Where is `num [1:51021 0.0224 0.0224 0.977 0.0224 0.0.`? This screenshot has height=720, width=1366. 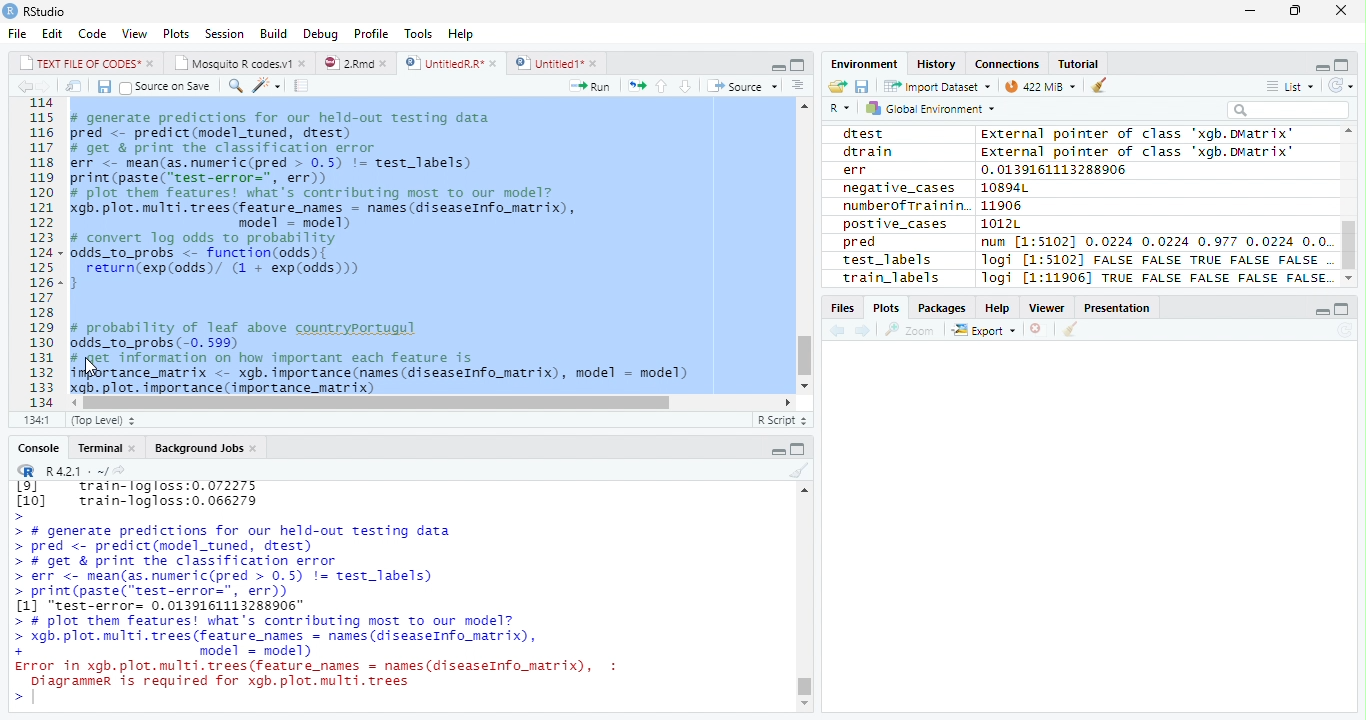 num [1:51021 0.0224 0.0224 0.977 0.0224 0.0. is located at coordinates (1155, 240).